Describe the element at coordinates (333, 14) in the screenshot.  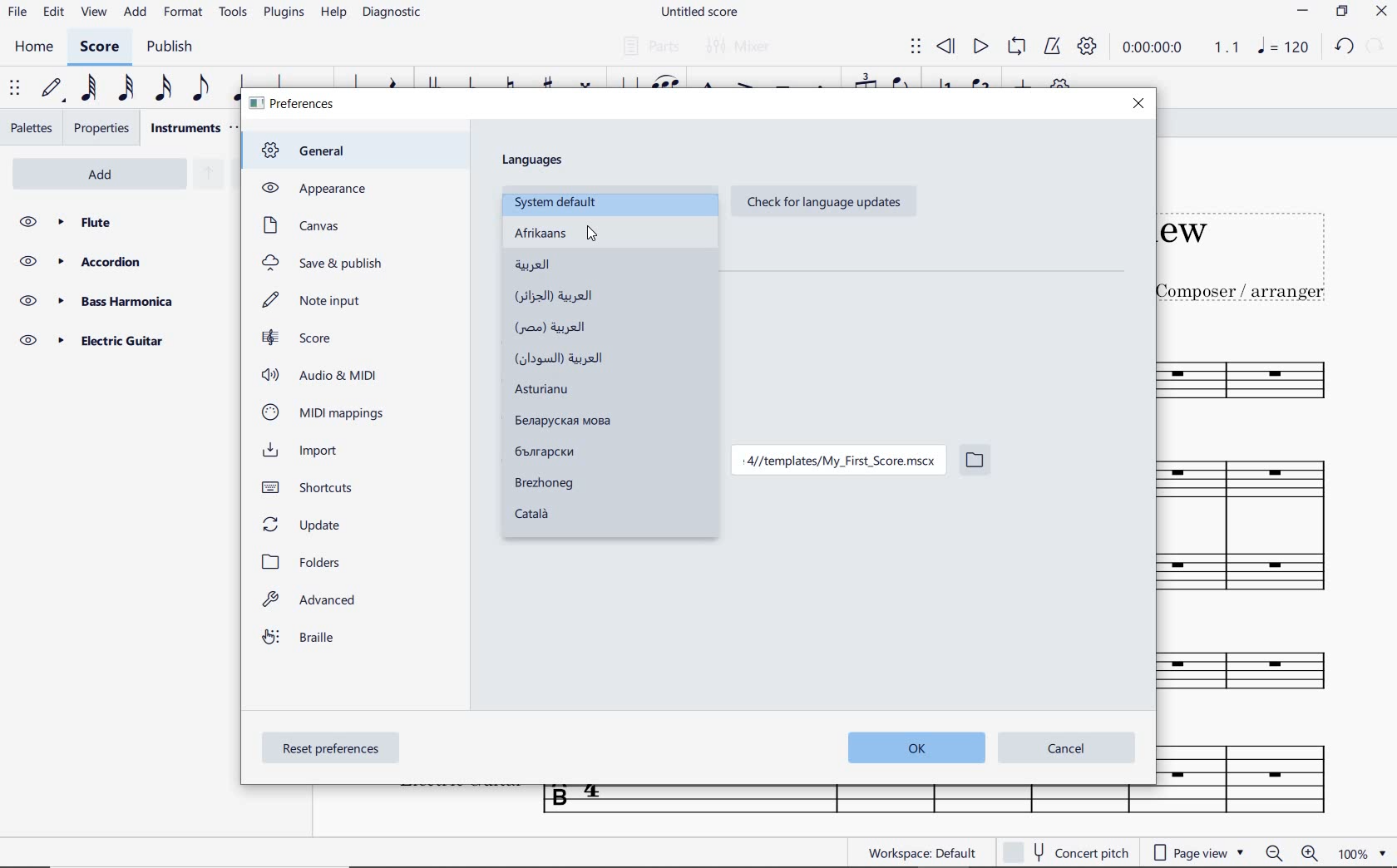
I see `help` at that location.